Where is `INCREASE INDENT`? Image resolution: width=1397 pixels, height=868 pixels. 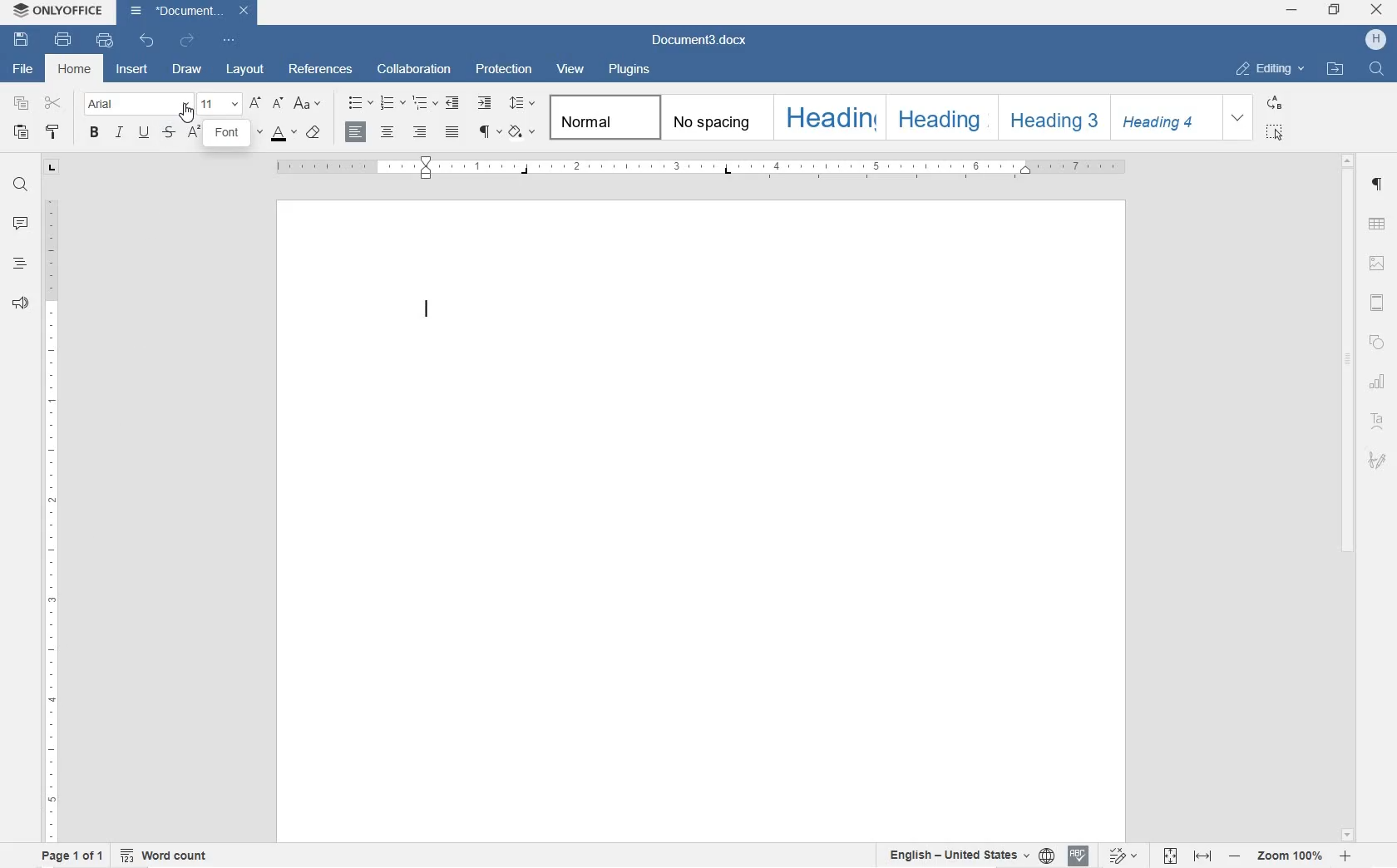 INCREASE INDENT is located at coordinates (486, 104).